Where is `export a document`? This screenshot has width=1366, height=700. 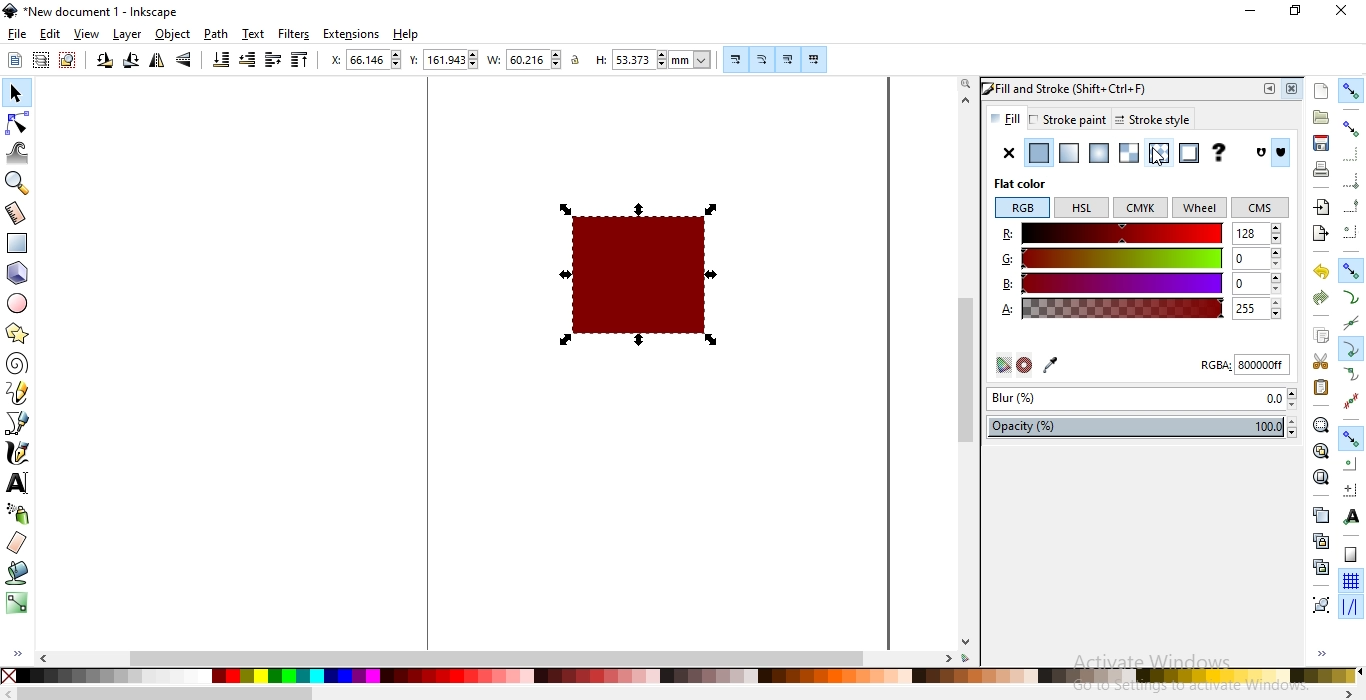 export a document is located at coordinates (1324, 232).